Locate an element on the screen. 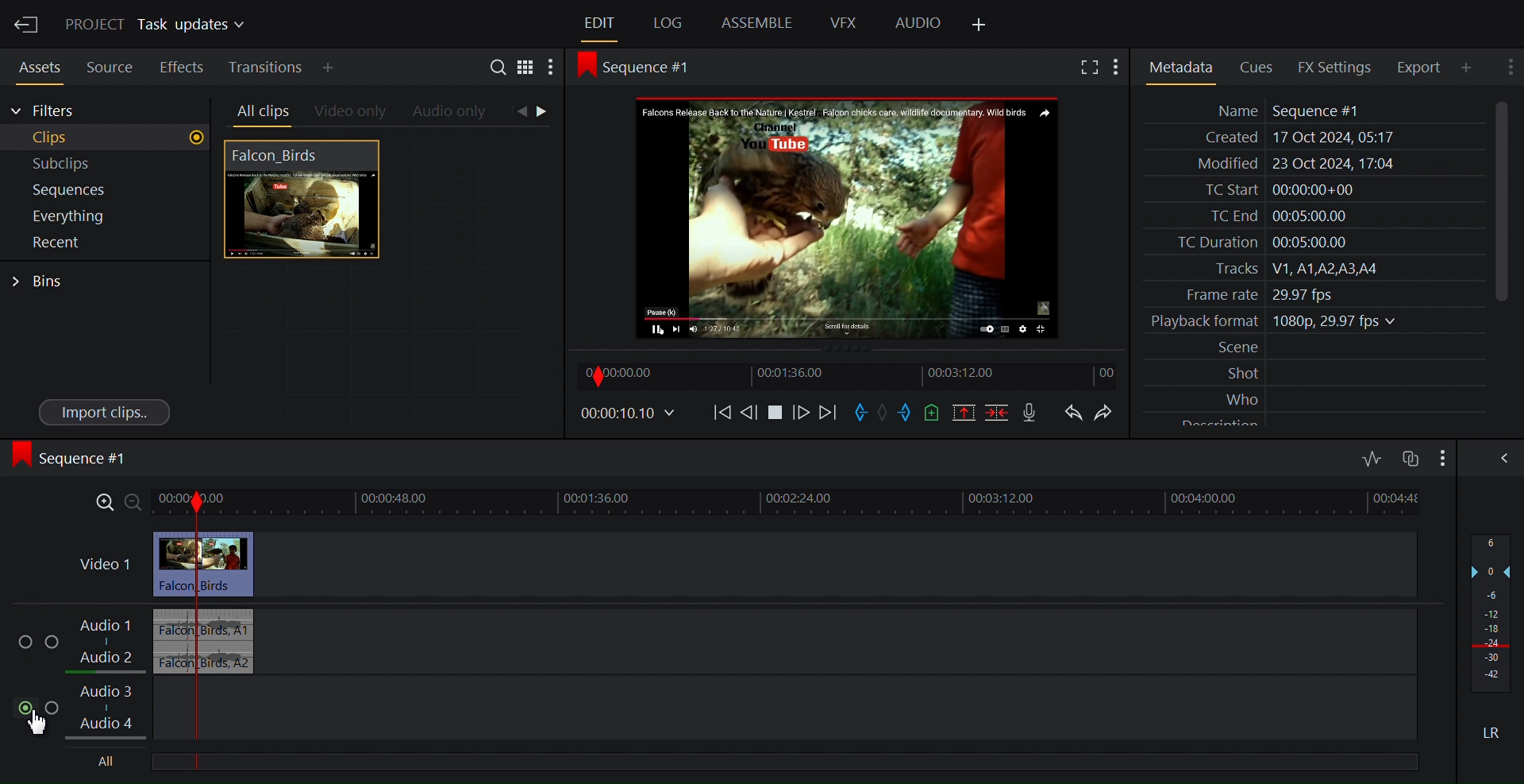 The width and height of the screenshot is (1524, 784). audio 2 is located at coordinates (230, 661).